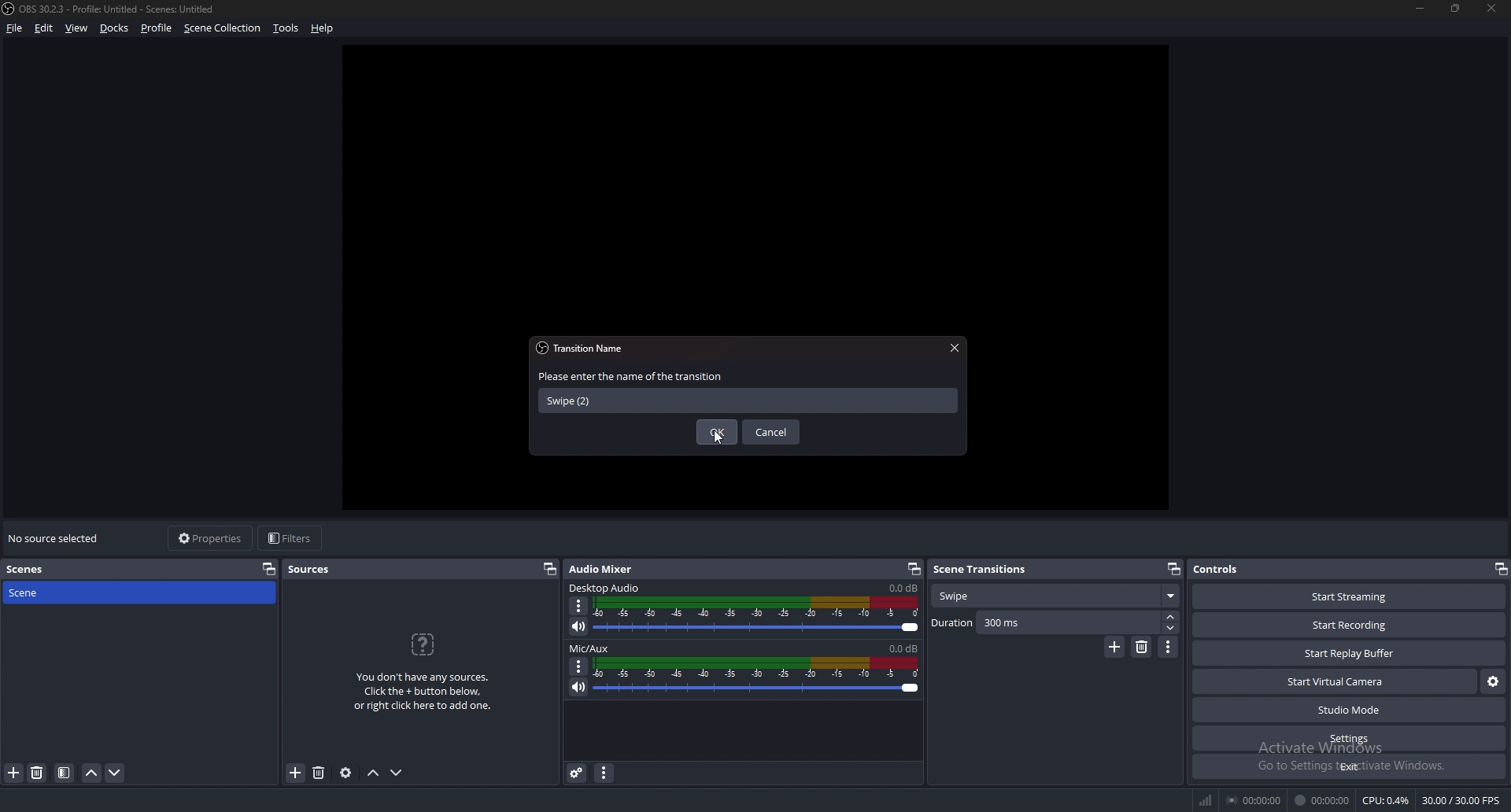 This screenshot has height=812, width=1511. I want to click on move scene down, so click(115, 773).